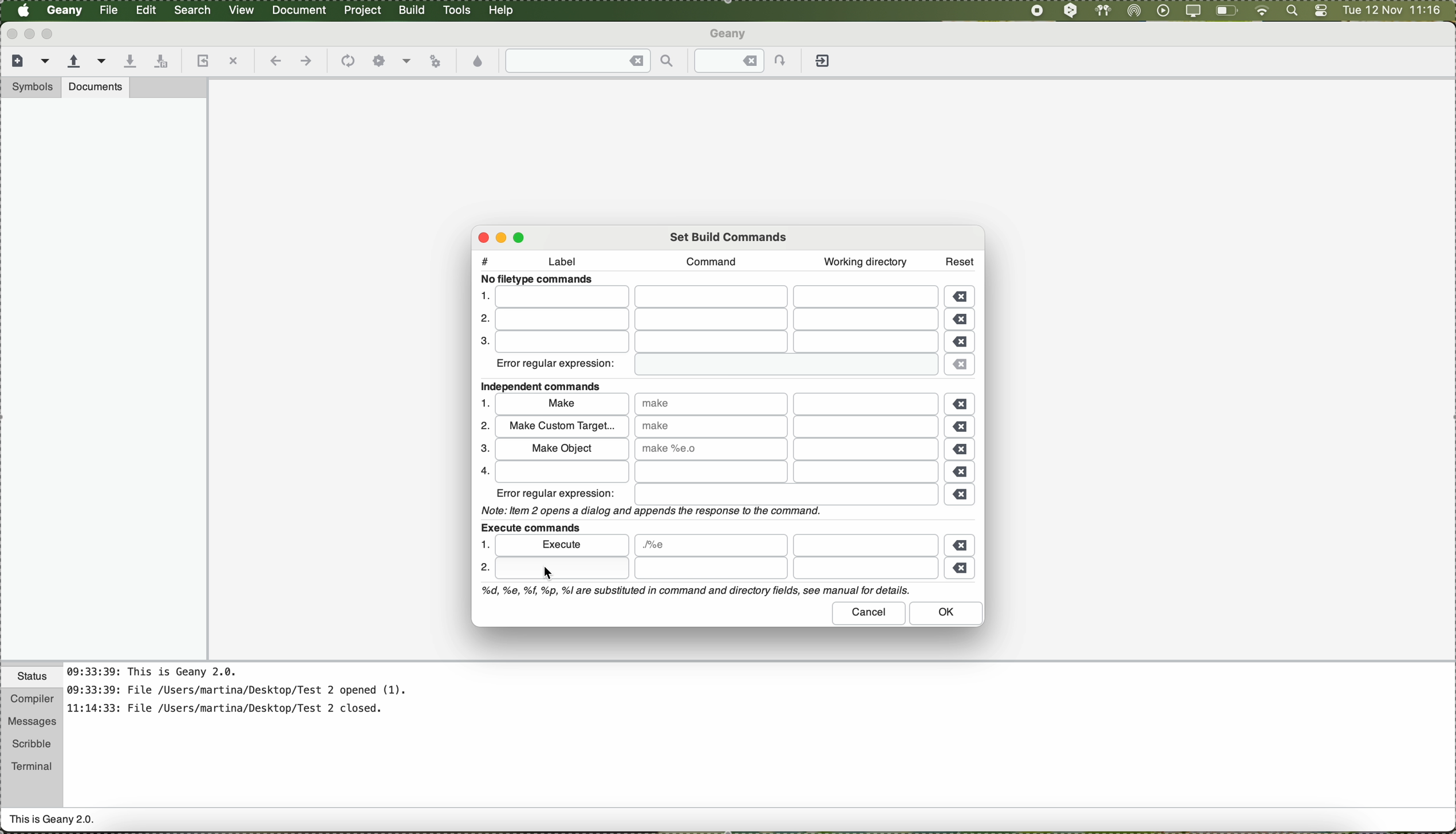 The width and height of the screenshot is (1456, 834). Describe the element at coordinates (720, 473) in the screenshot. I see `file` at that location.